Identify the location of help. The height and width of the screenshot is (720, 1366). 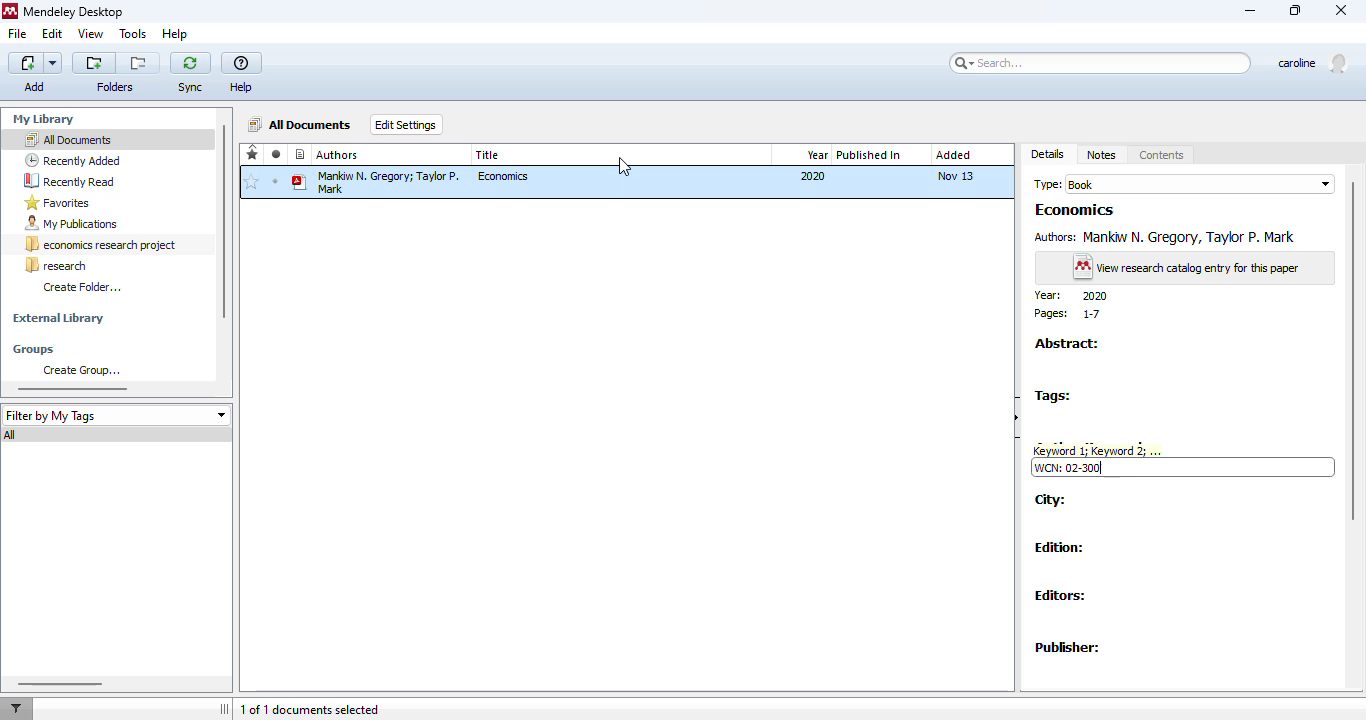
(175, 35).